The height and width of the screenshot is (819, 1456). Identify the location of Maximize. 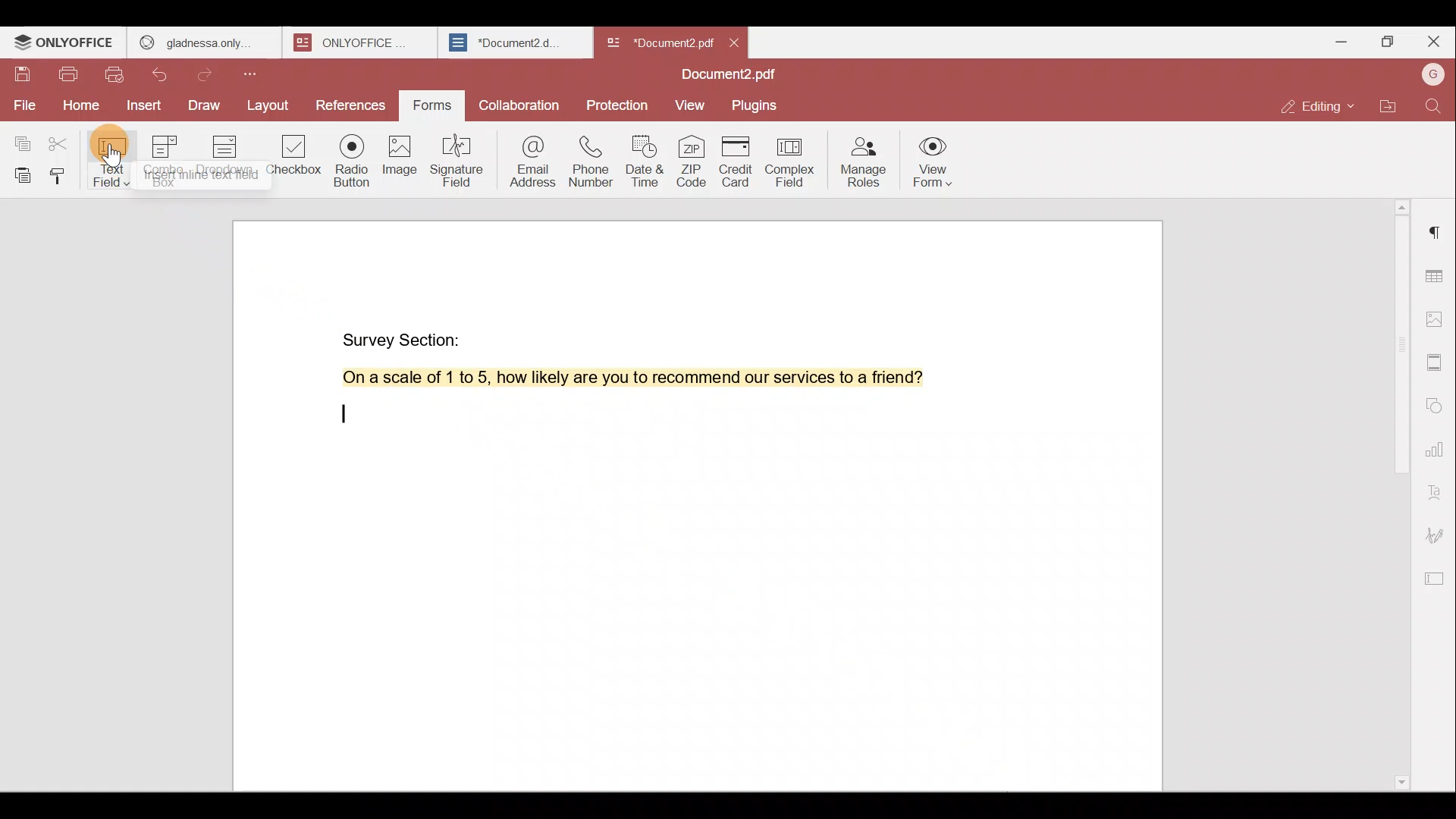
(1386, 44).